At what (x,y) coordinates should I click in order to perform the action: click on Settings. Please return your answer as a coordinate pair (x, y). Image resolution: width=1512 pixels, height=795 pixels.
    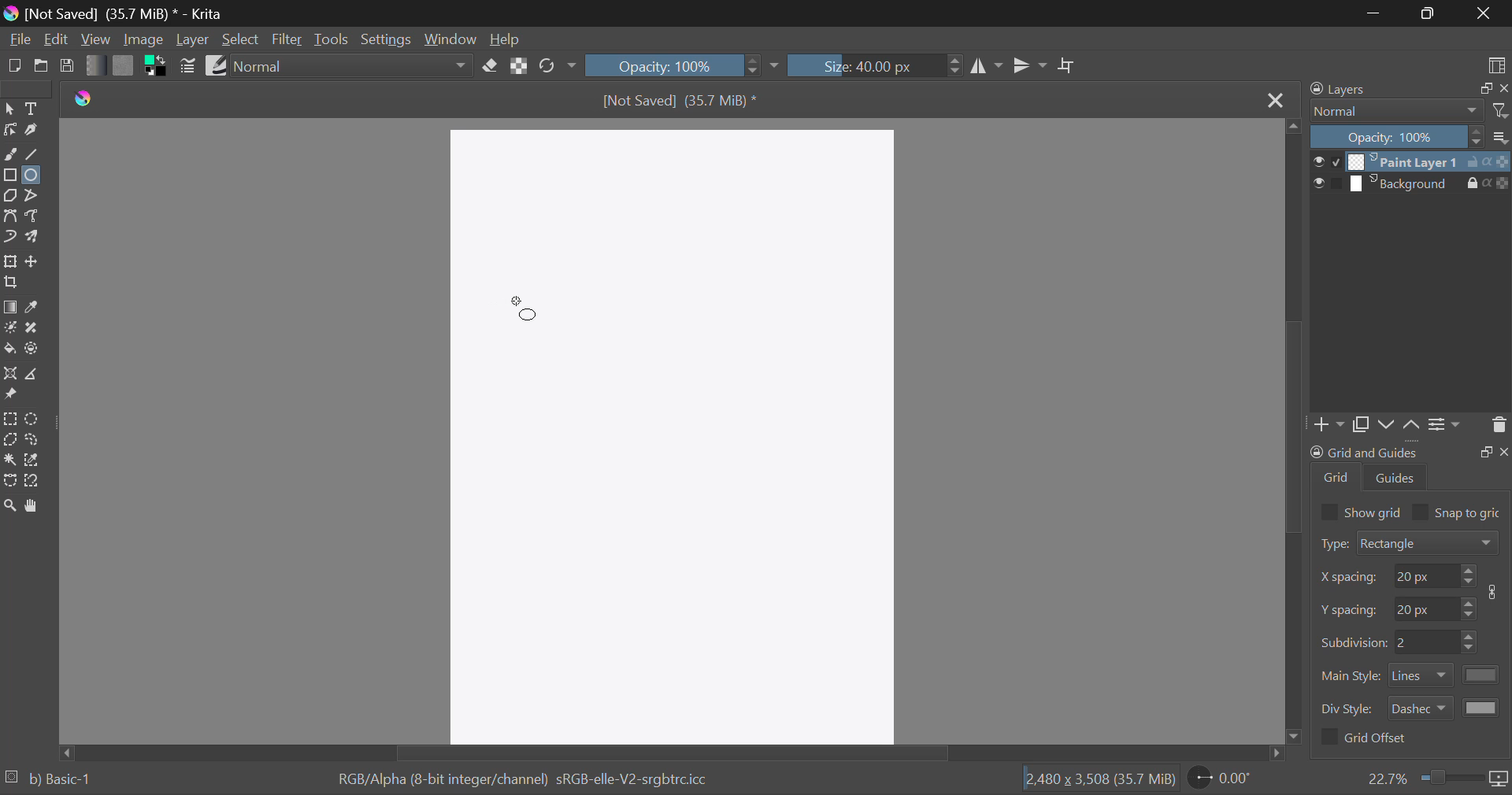
    Looking at the image, I should click on (1447, 429).